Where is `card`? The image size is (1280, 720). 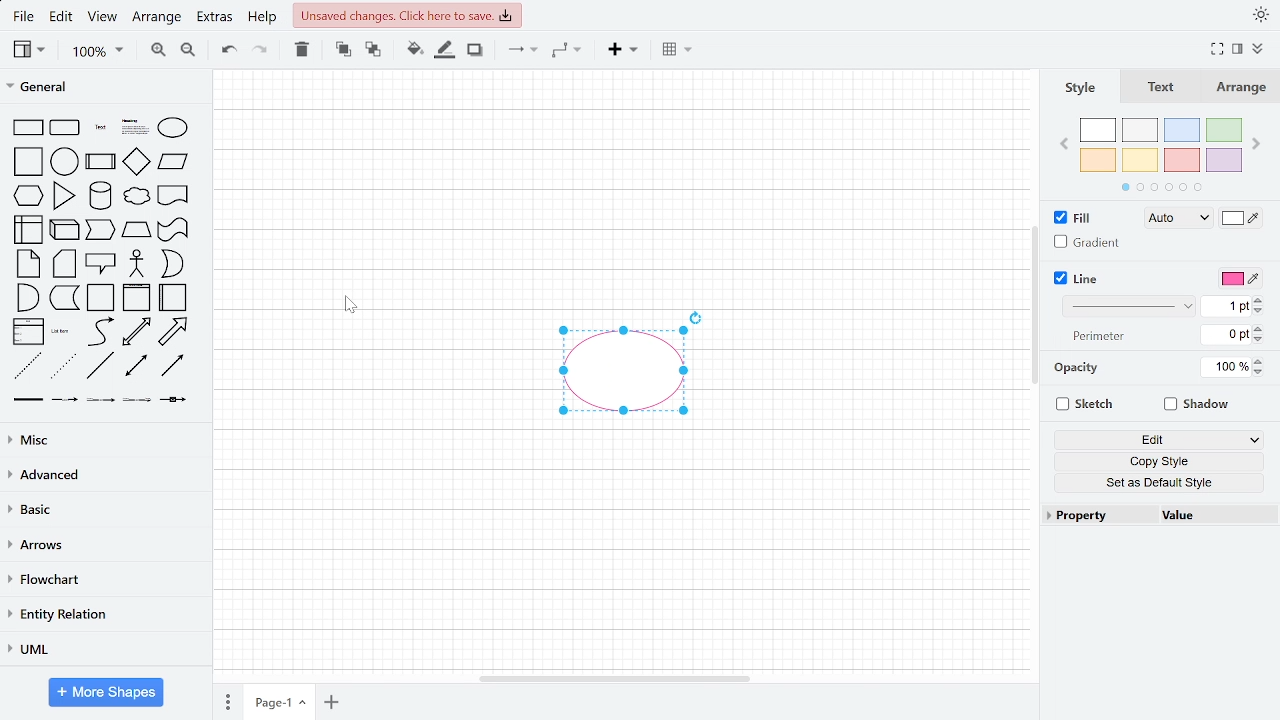 card is located at coordinates (64, 264).